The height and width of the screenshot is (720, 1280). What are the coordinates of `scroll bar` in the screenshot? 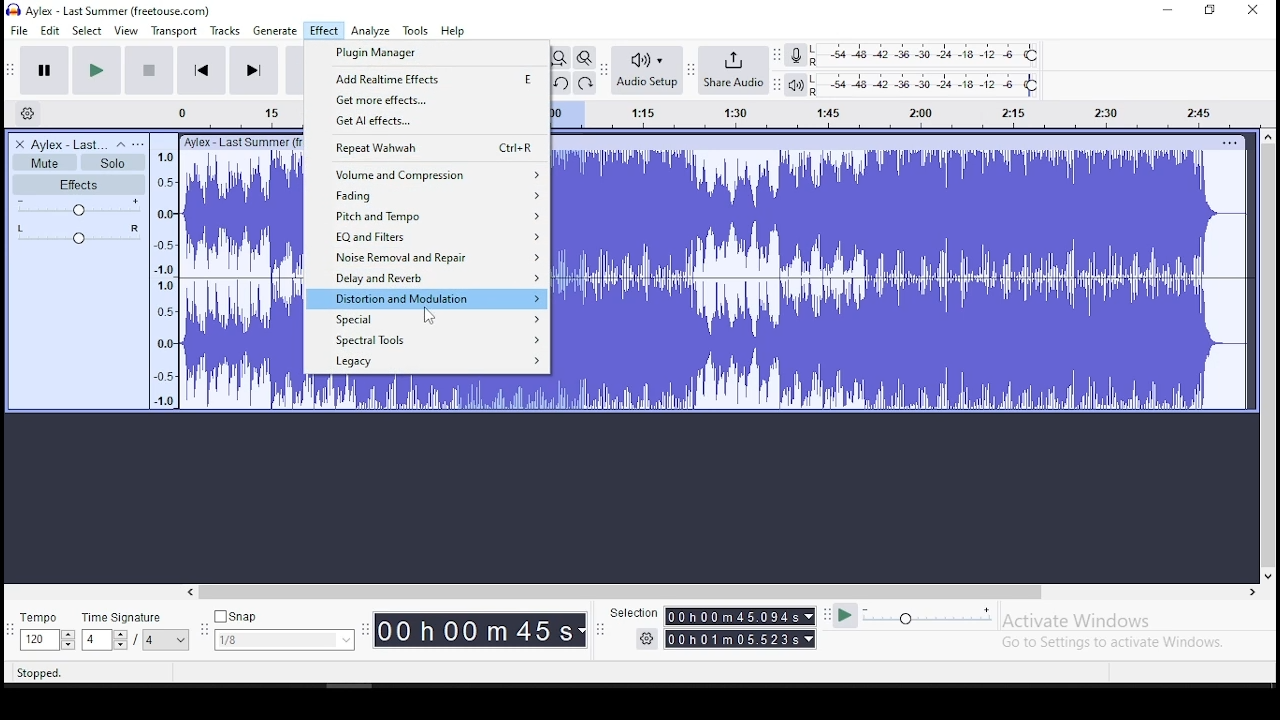 It's located at (722, 593).